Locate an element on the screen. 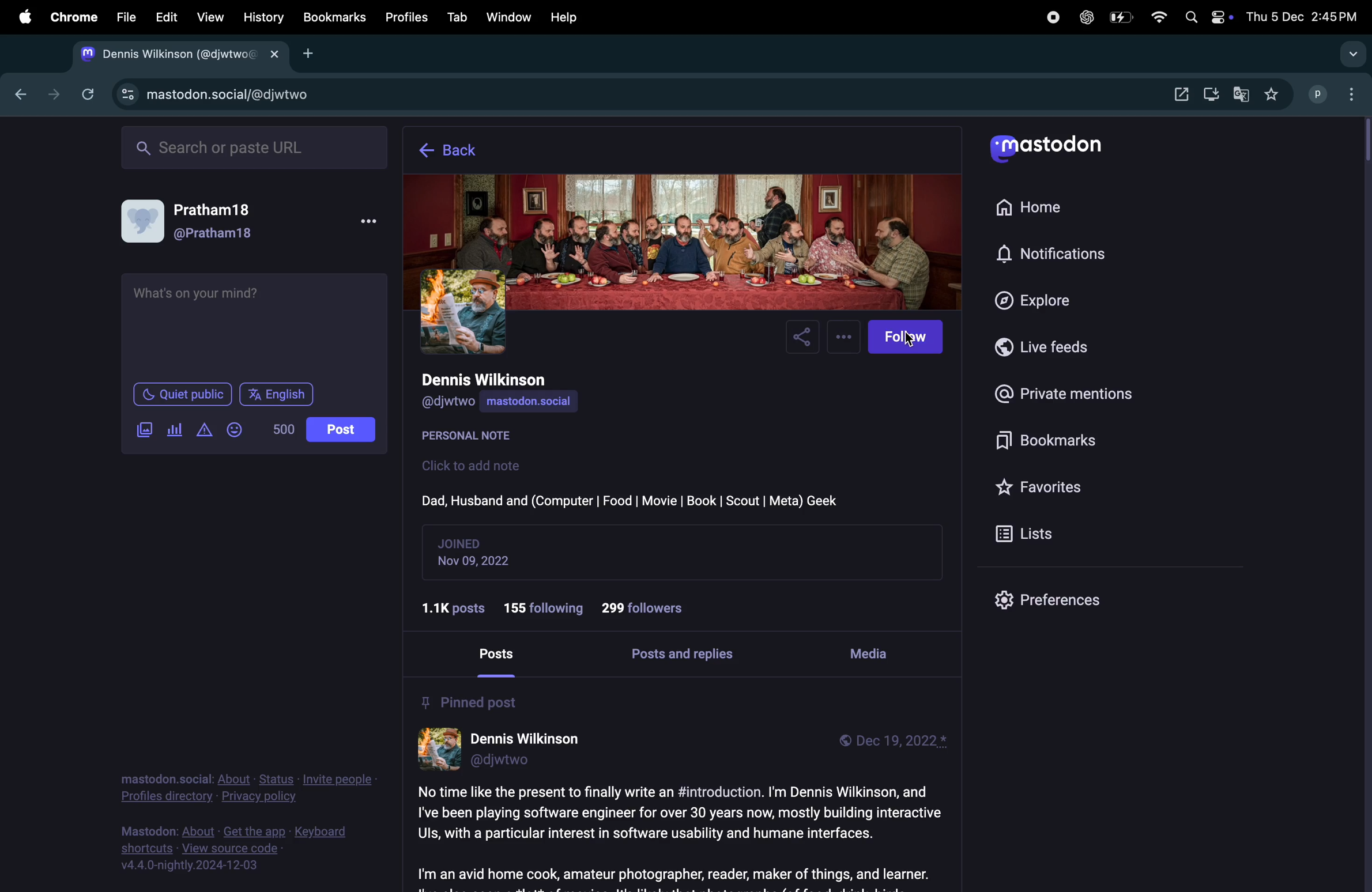  user name is located at coordinates (501, 380).